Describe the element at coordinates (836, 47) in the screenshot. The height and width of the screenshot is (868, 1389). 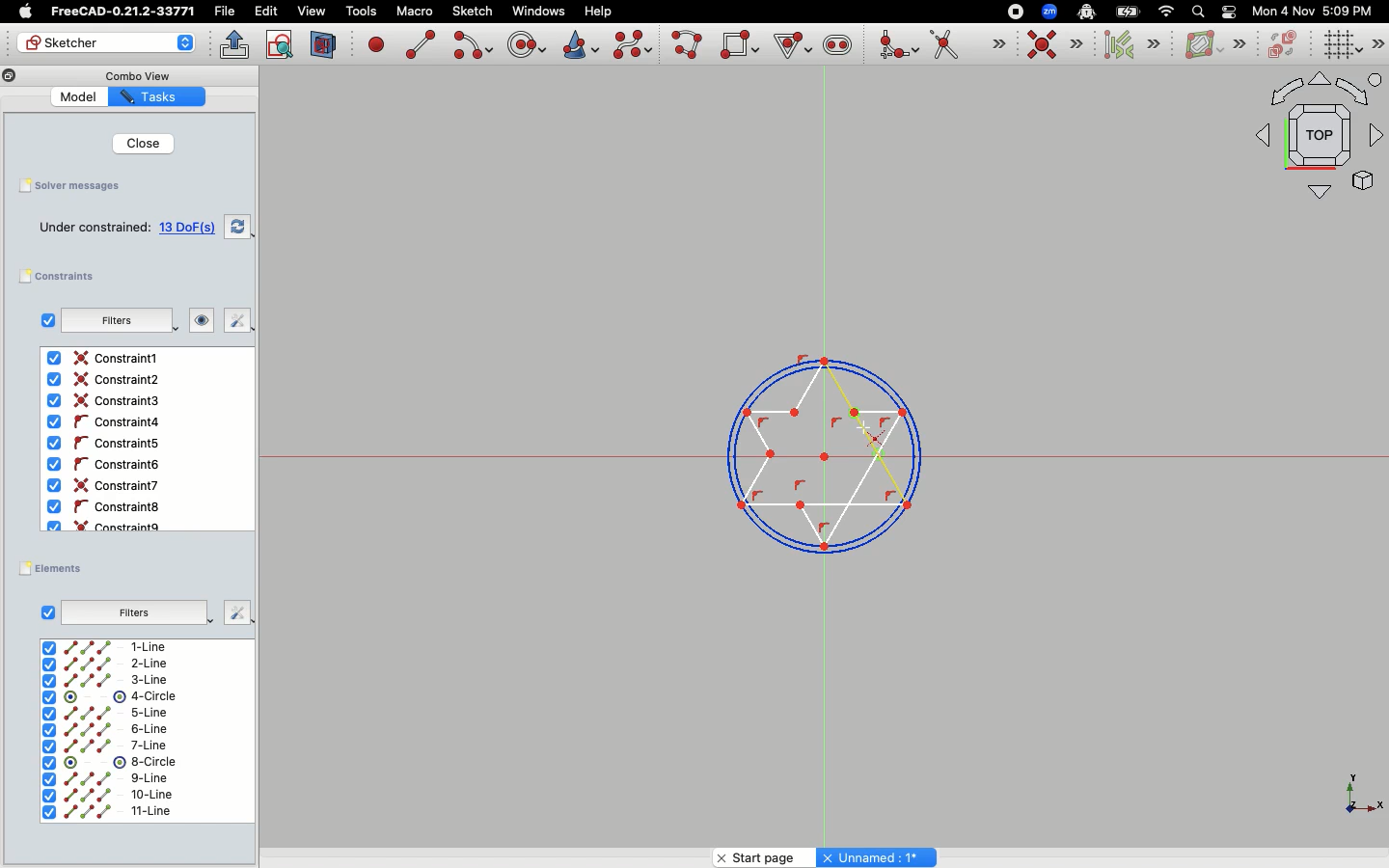
I see `Create slot` at that location.